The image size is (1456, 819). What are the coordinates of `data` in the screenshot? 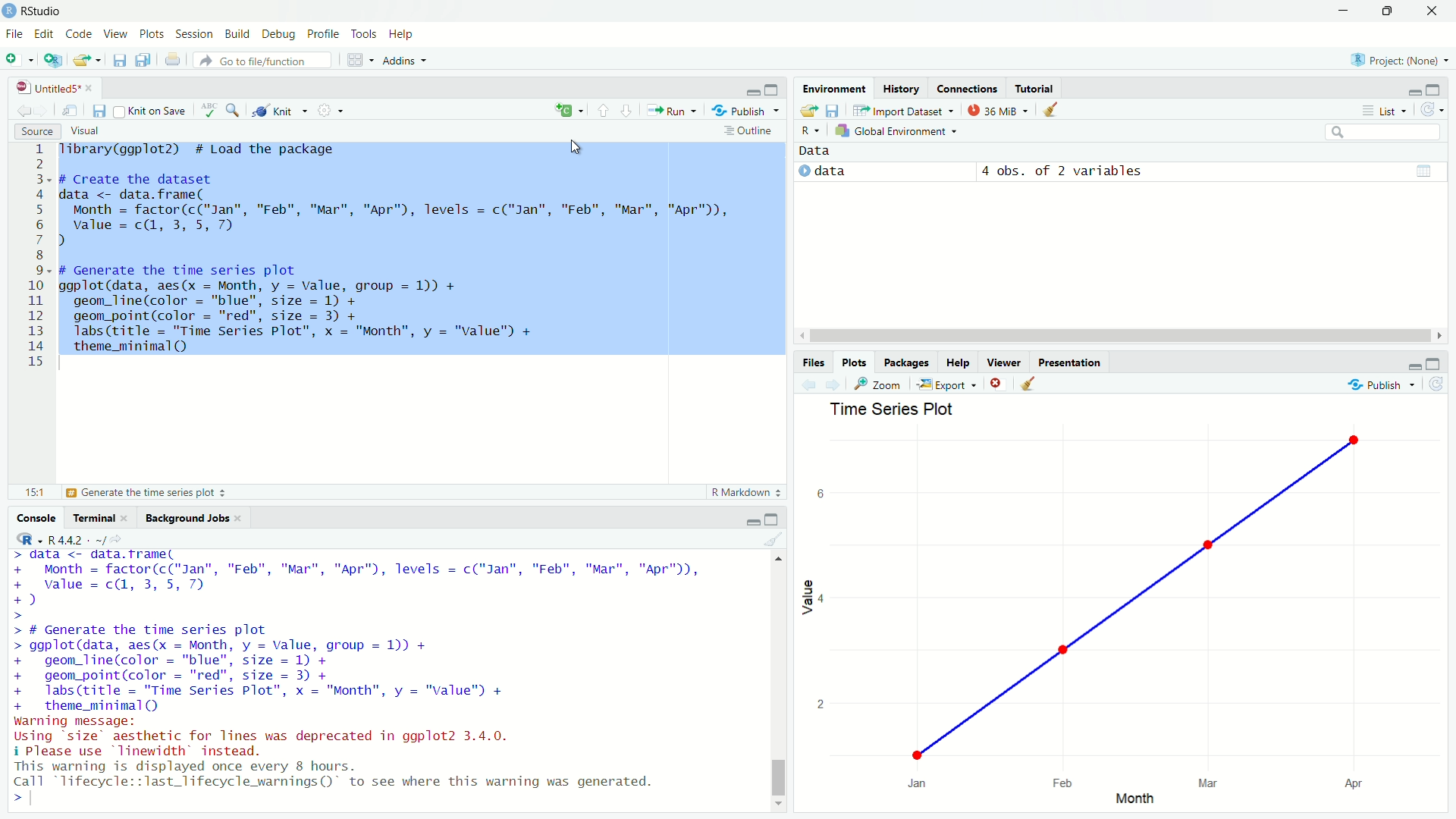 It's located at (864, 171).